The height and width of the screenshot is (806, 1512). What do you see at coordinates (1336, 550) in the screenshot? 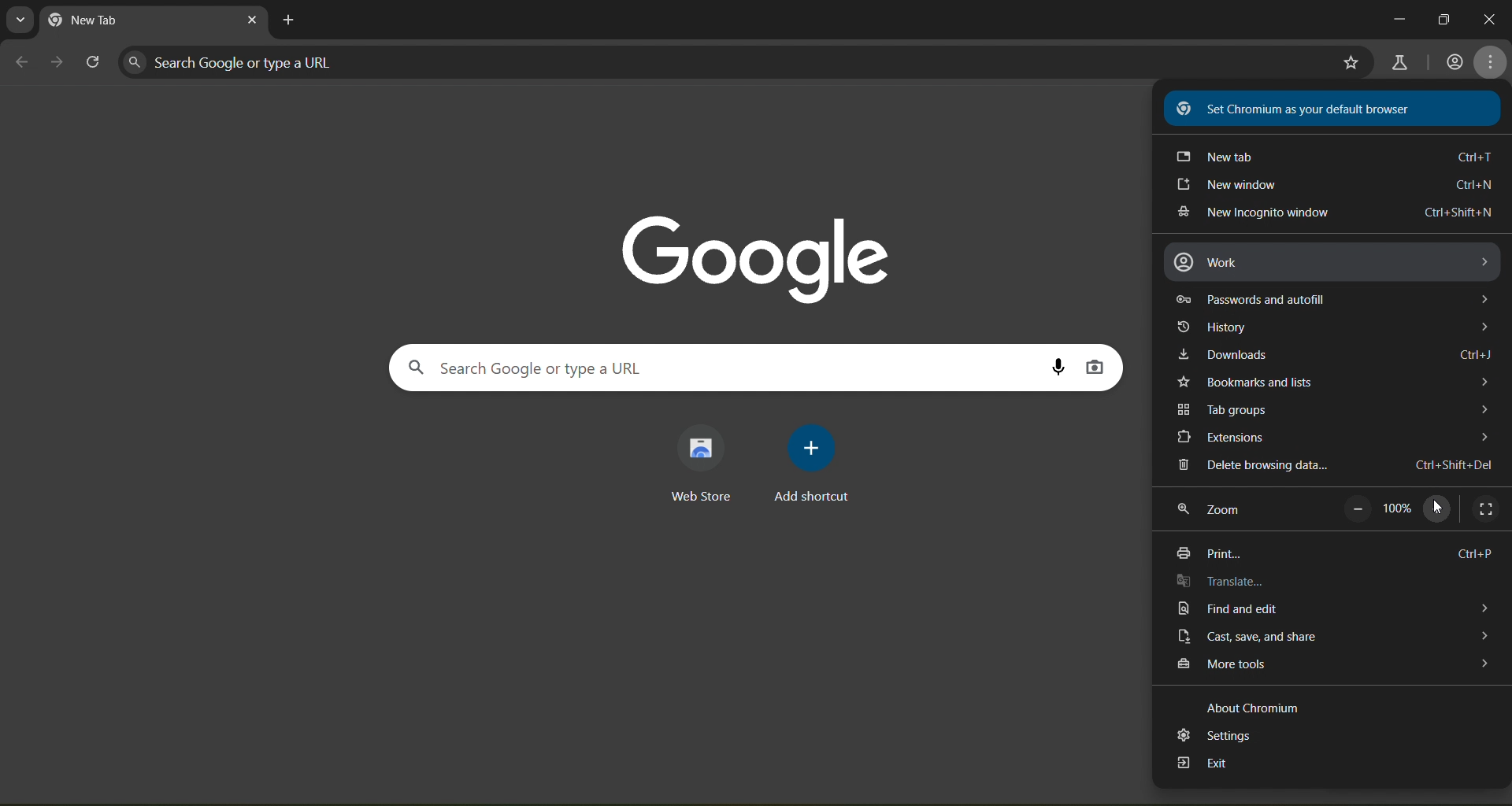
I see `print` at bounding box center [1336, 550].